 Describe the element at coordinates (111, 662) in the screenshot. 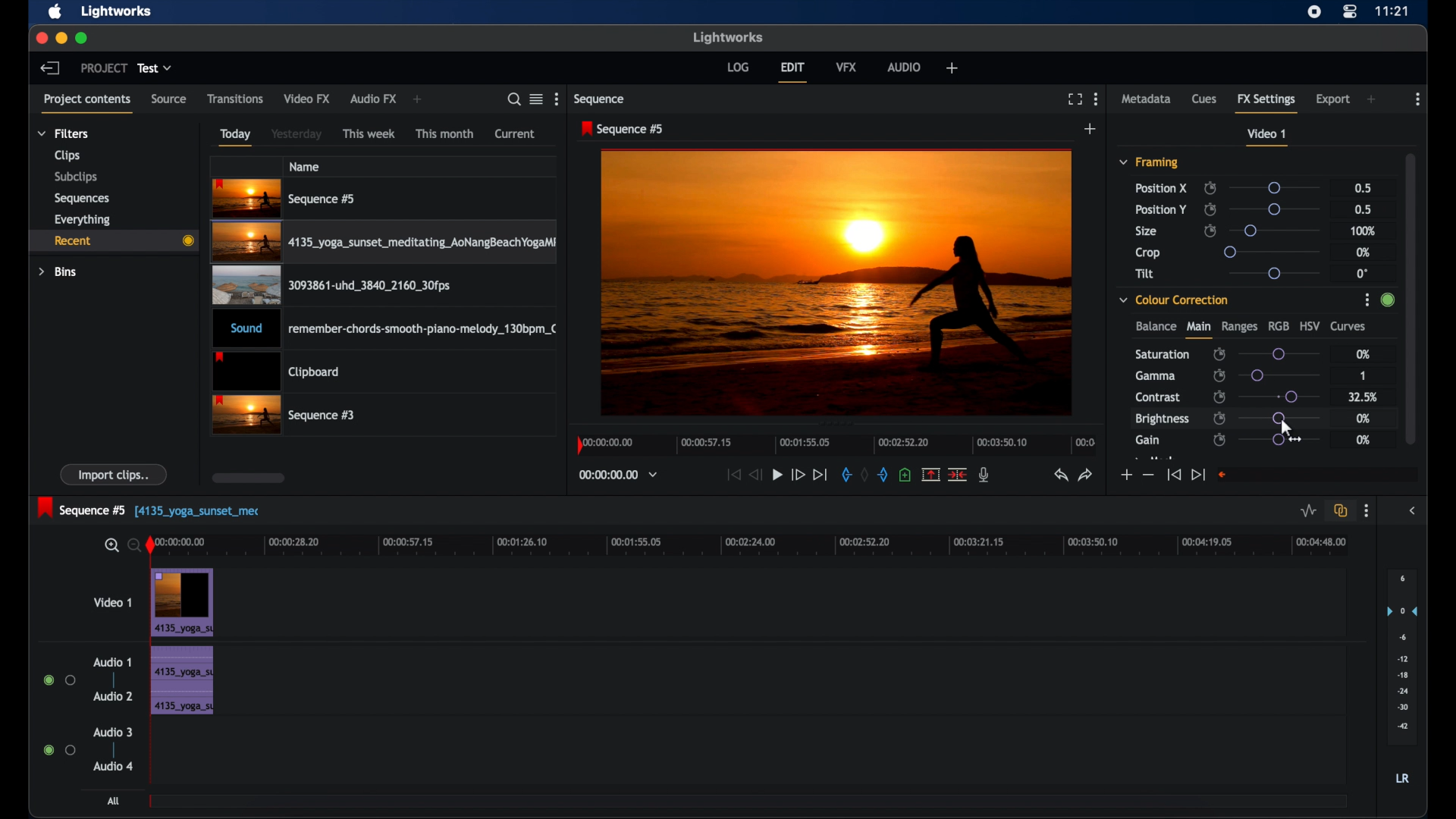

I see `audio 1` at that location.